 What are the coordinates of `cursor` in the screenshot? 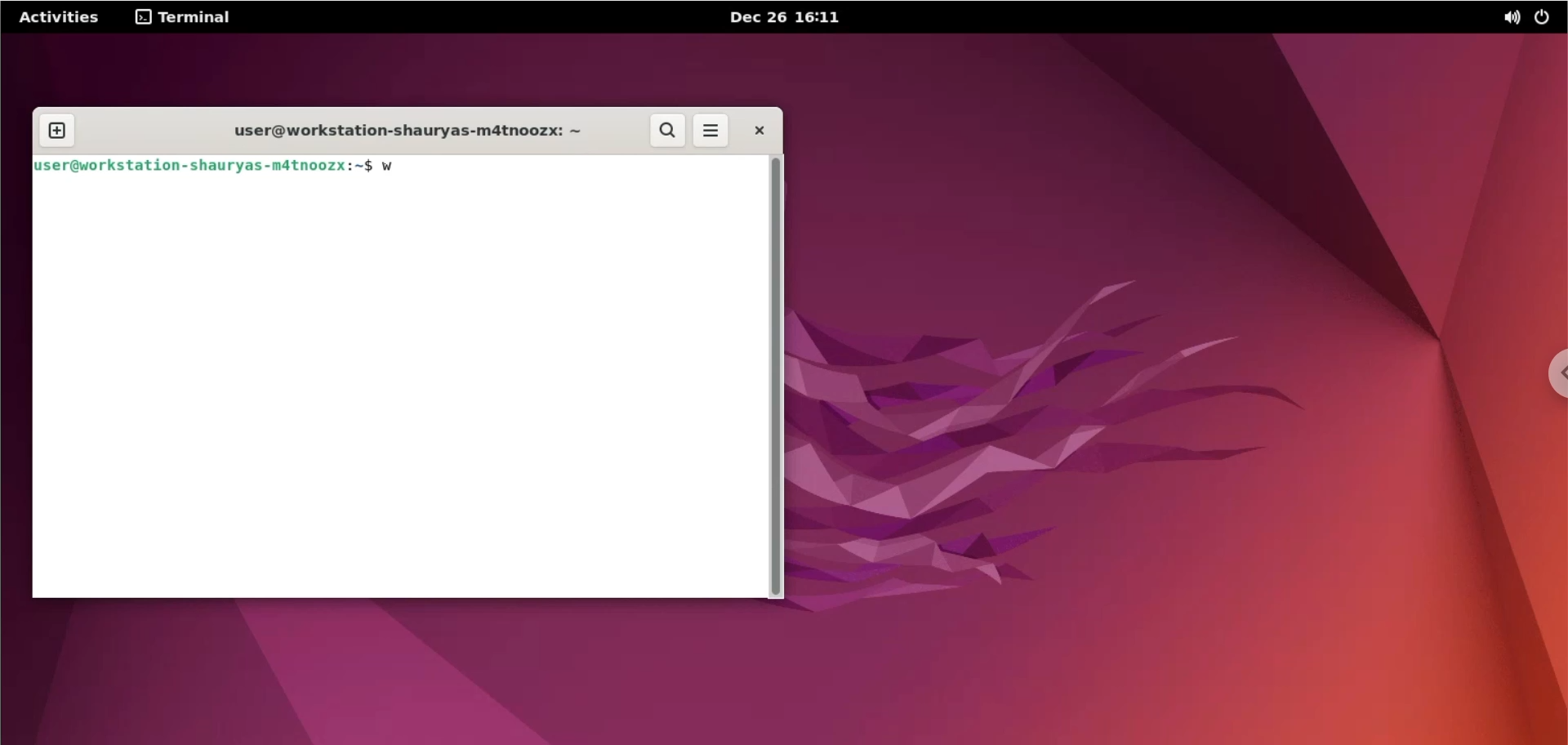 It's located at (418, 167).